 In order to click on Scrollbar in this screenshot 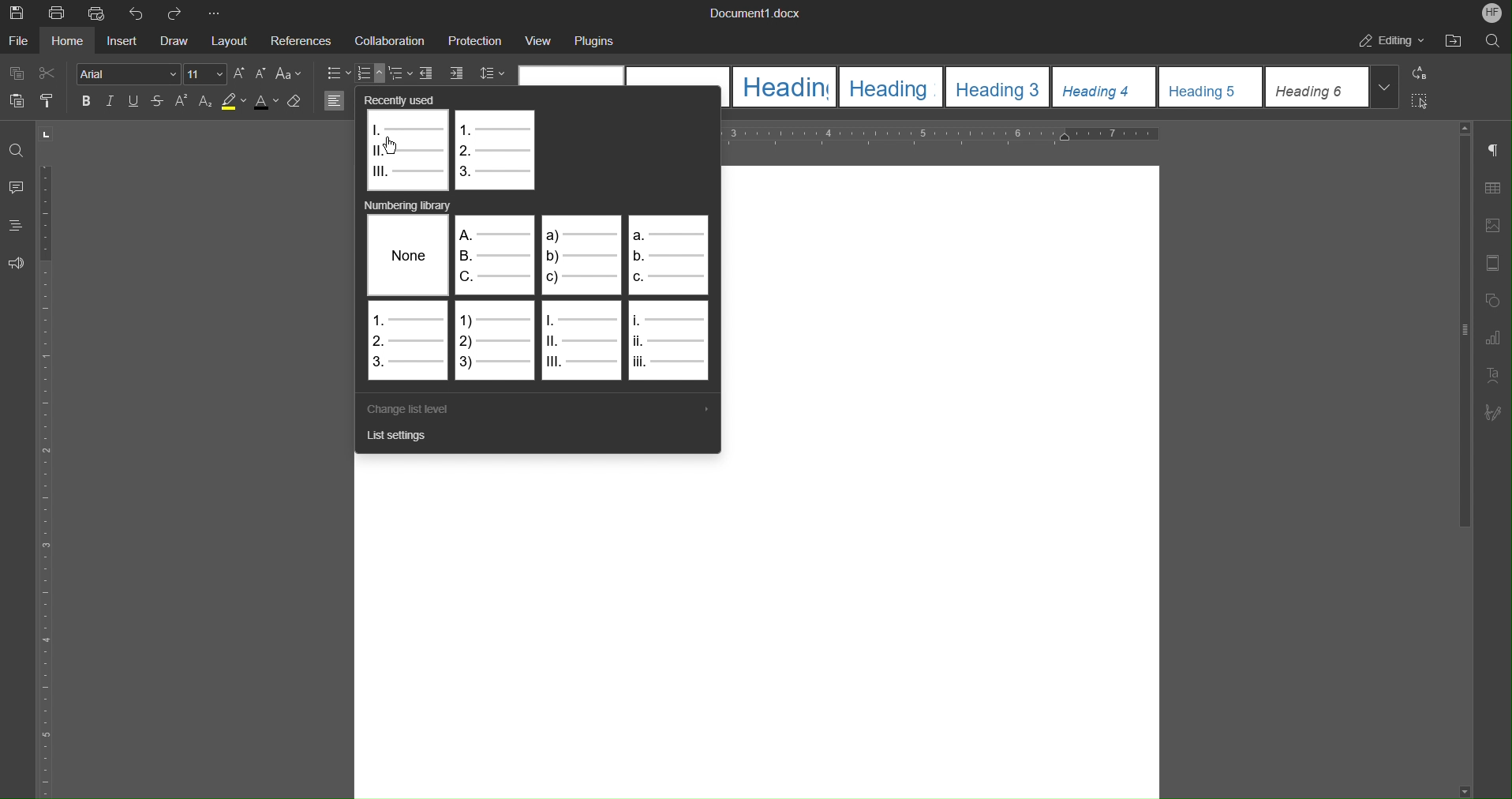, I will do `click(1465, 332)`.